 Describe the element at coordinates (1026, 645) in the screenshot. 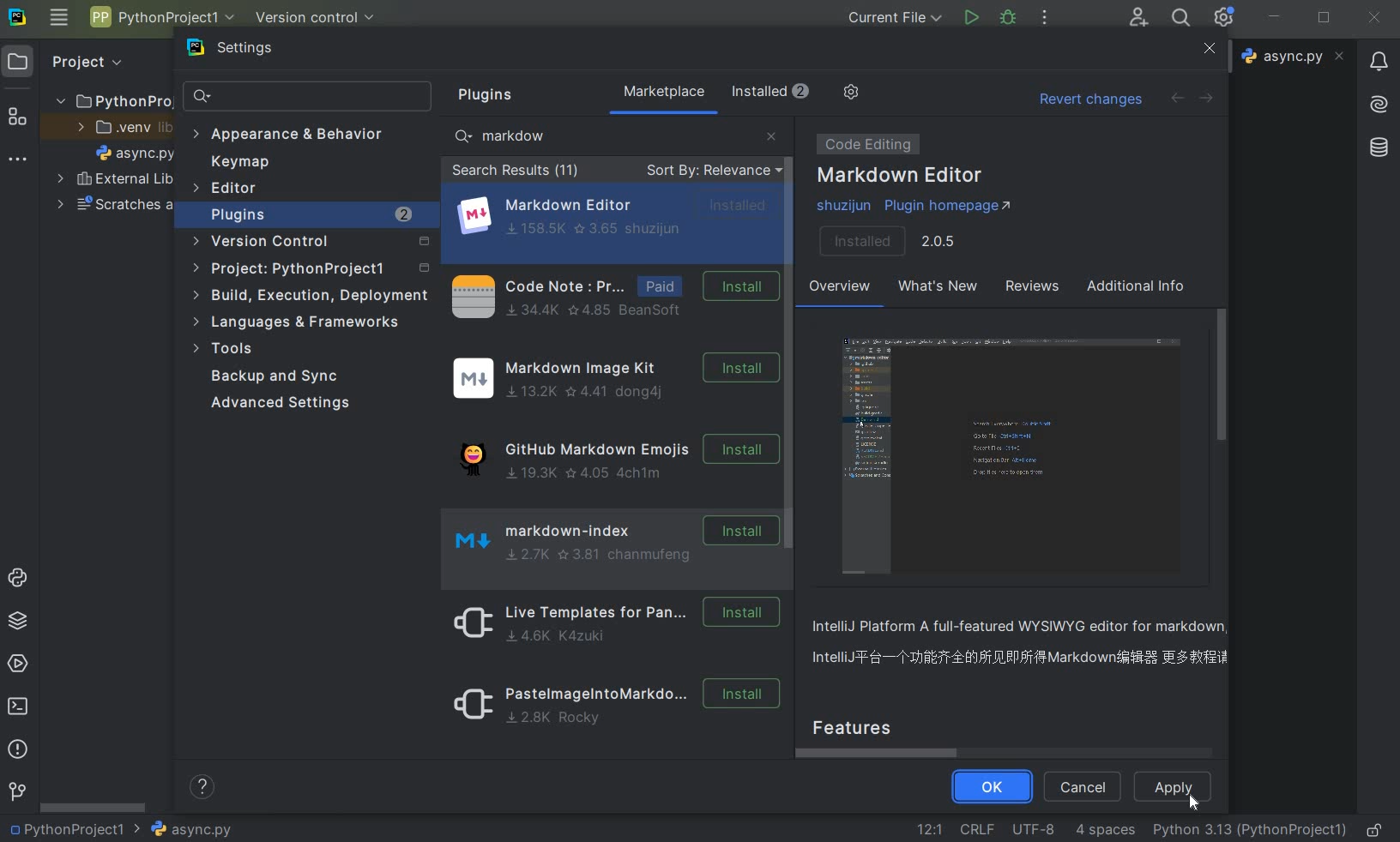

I see `overview` at that location.